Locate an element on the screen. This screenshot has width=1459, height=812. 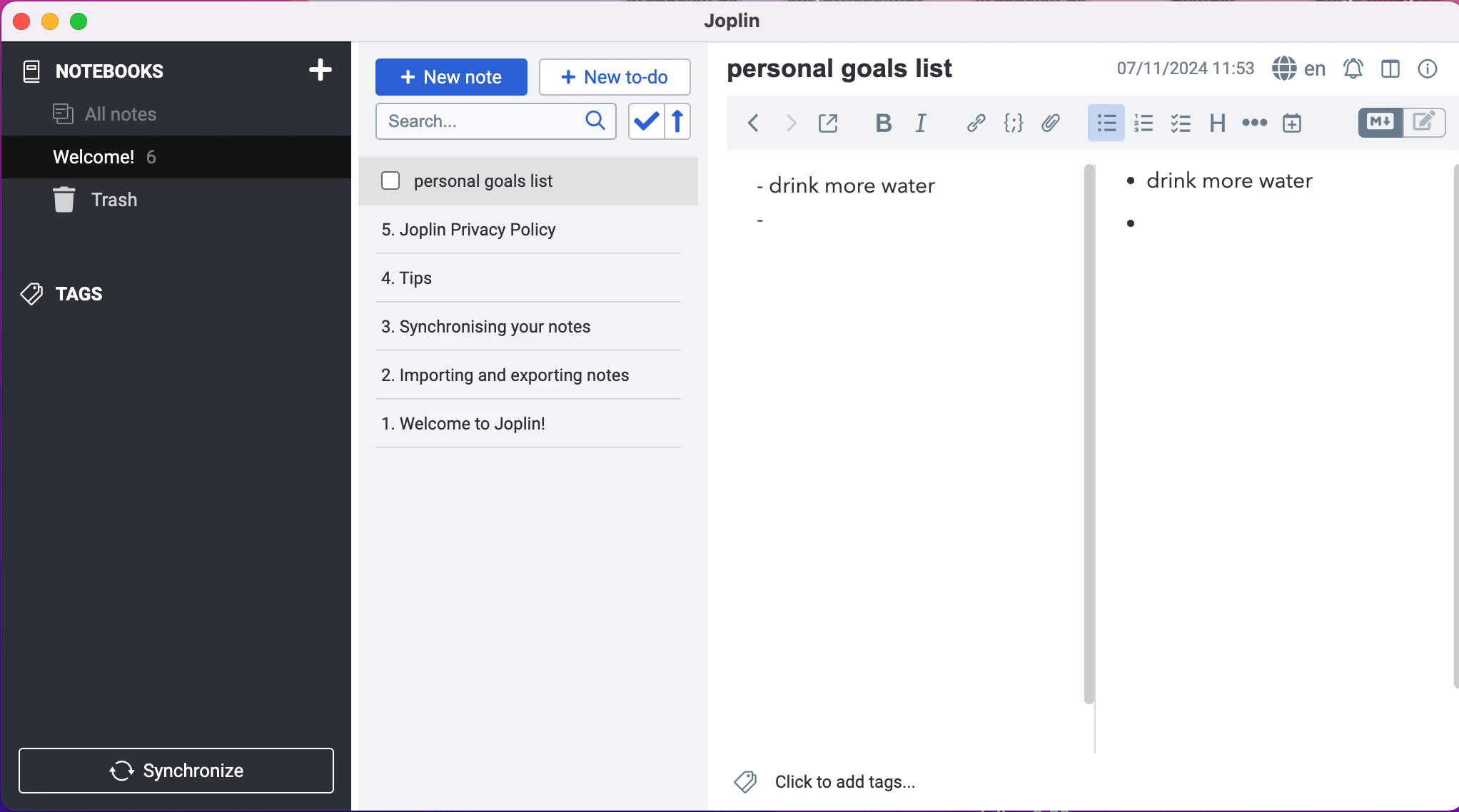
welcome! 5 is located at coordinates (158, 156).